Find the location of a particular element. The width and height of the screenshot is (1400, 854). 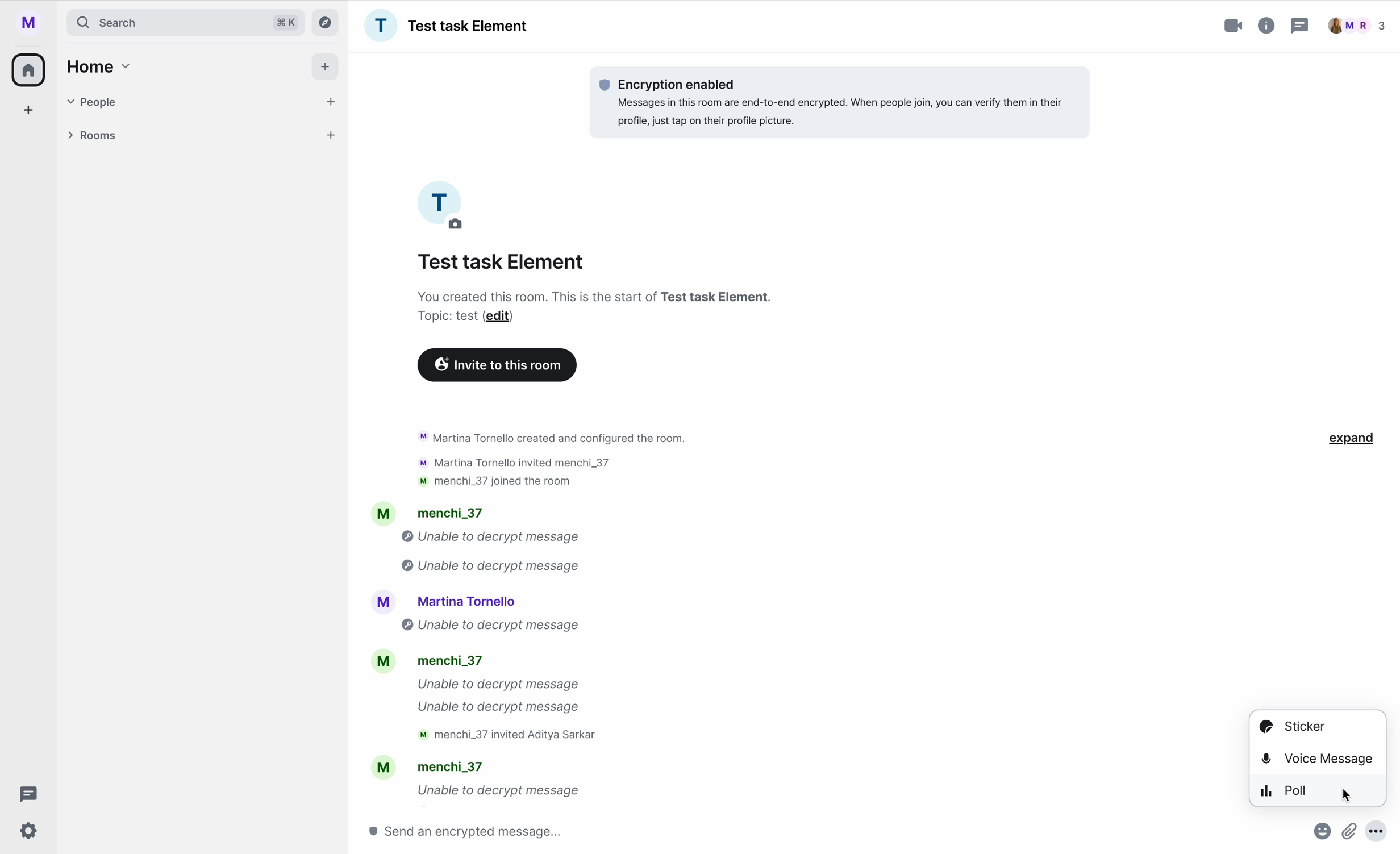

home is located at coordinates (30, 69).